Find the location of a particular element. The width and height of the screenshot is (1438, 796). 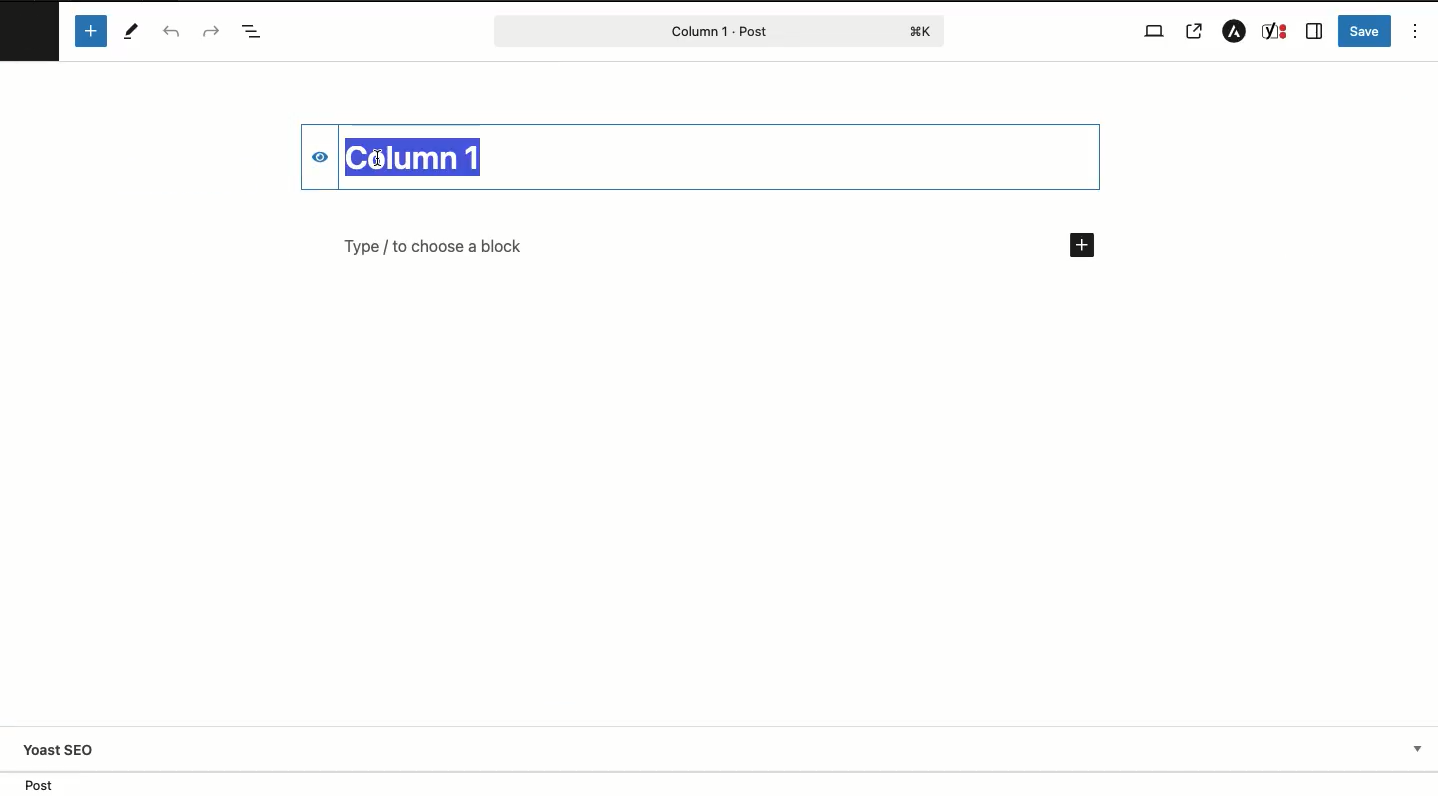

Yoast SEO is located at coordinates (729, 749).